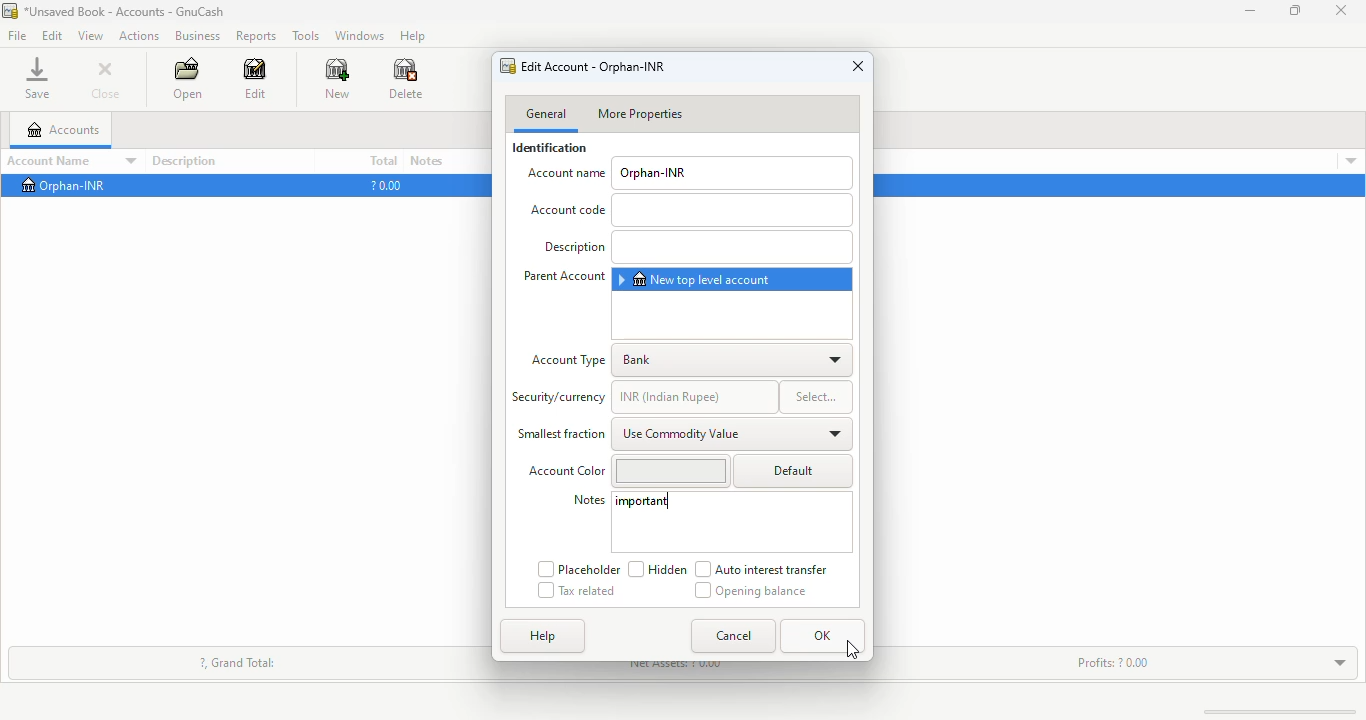 This screenshot has height=720, width=1366. Describe the element at coordinates (795, 470) in the screenshot. I see `default` at that location.